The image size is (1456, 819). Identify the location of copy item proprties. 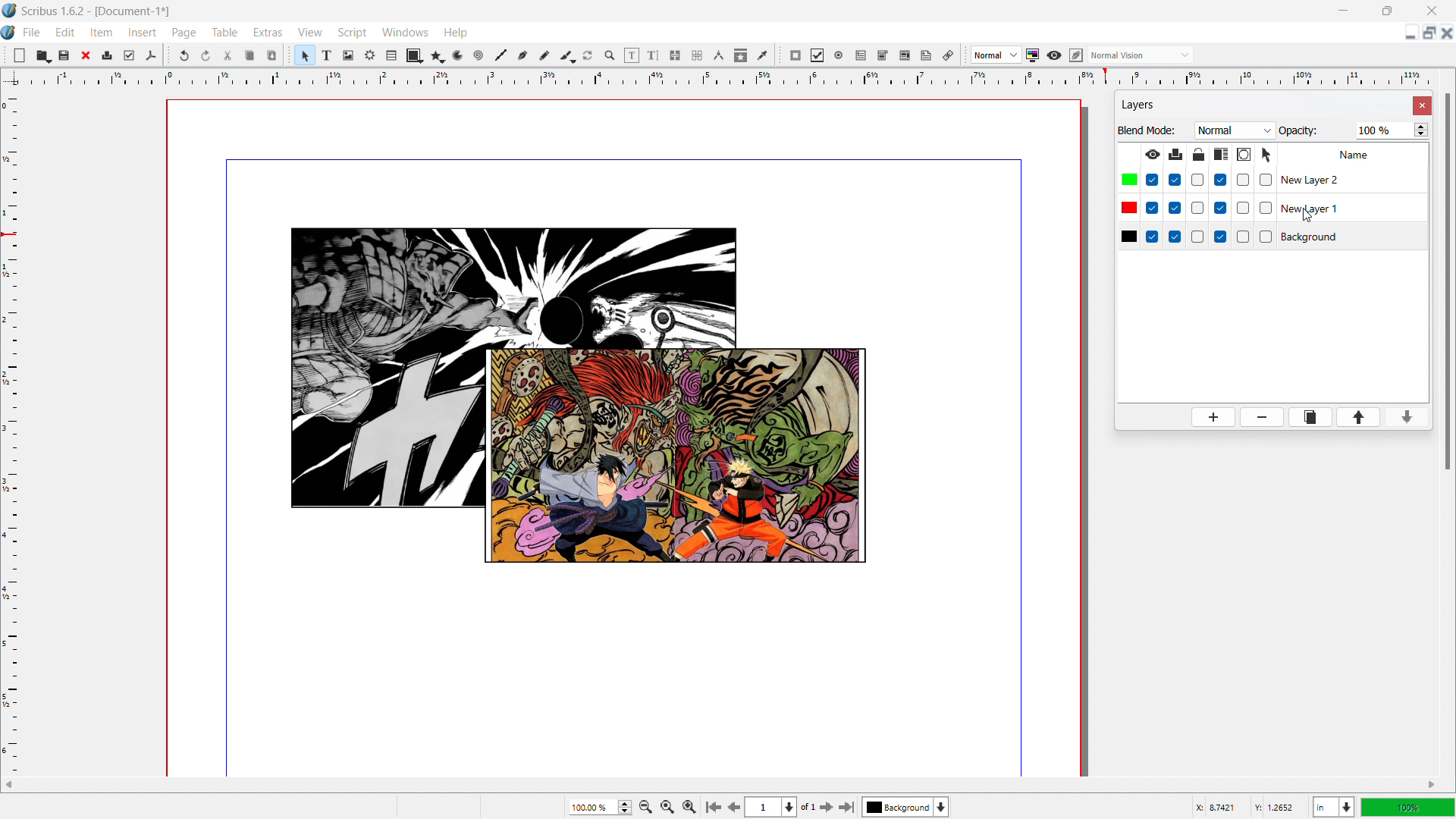
(741, 55).